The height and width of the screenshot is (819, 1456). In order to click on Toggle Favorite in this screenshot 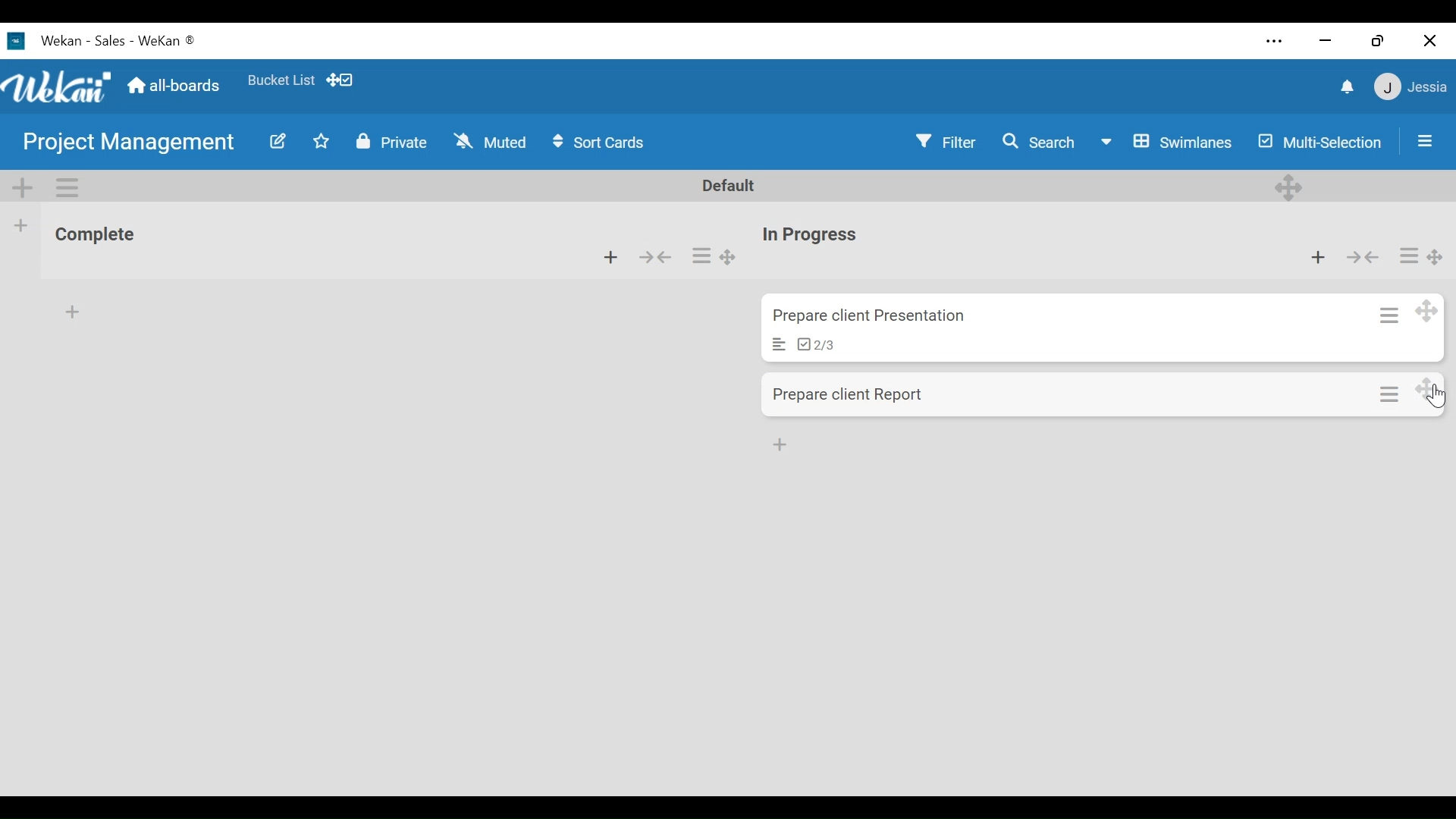, I will do `click(318, 143)`.